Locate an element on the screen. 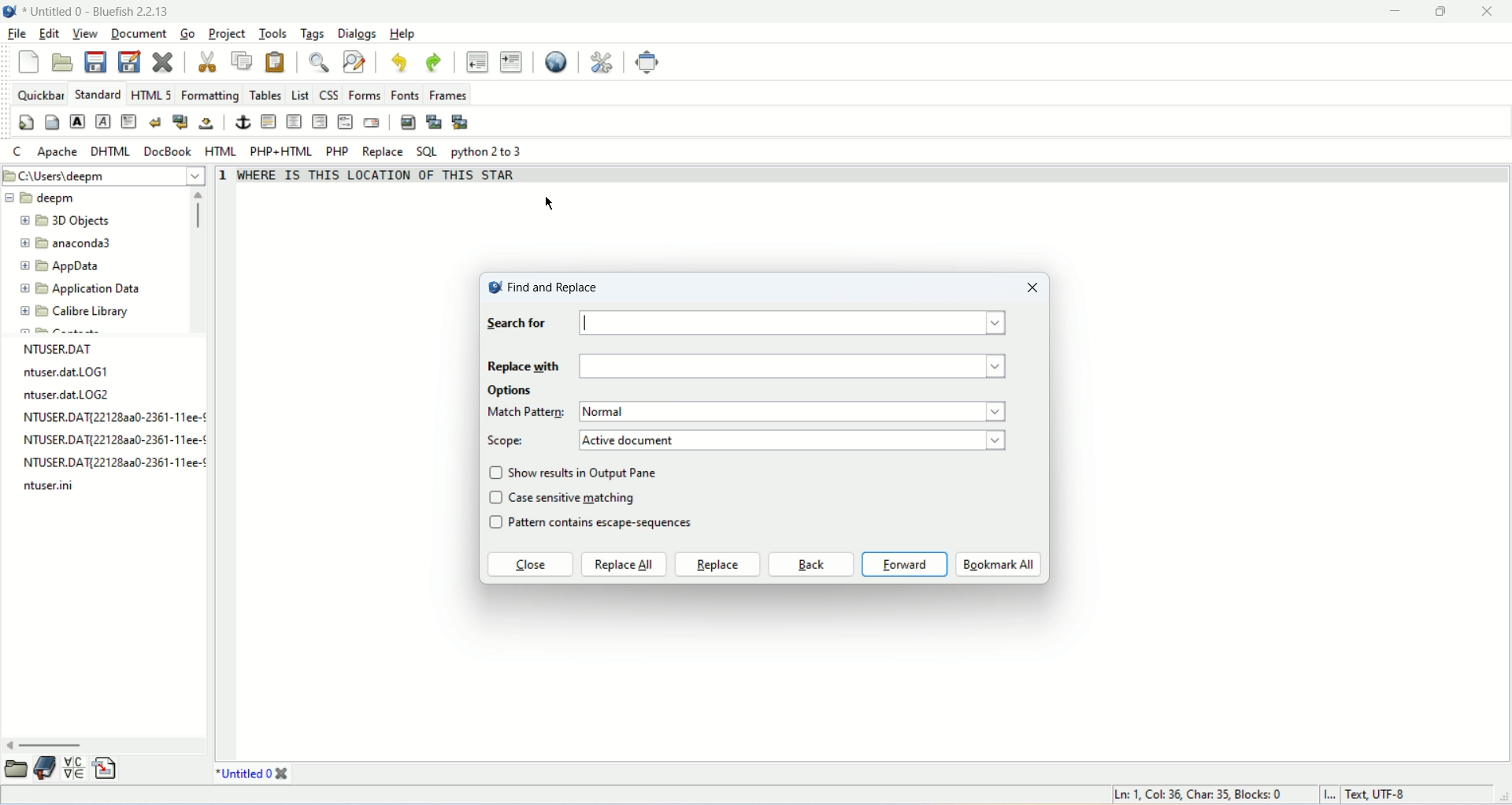  HTML is located at coordinates (223, 151).